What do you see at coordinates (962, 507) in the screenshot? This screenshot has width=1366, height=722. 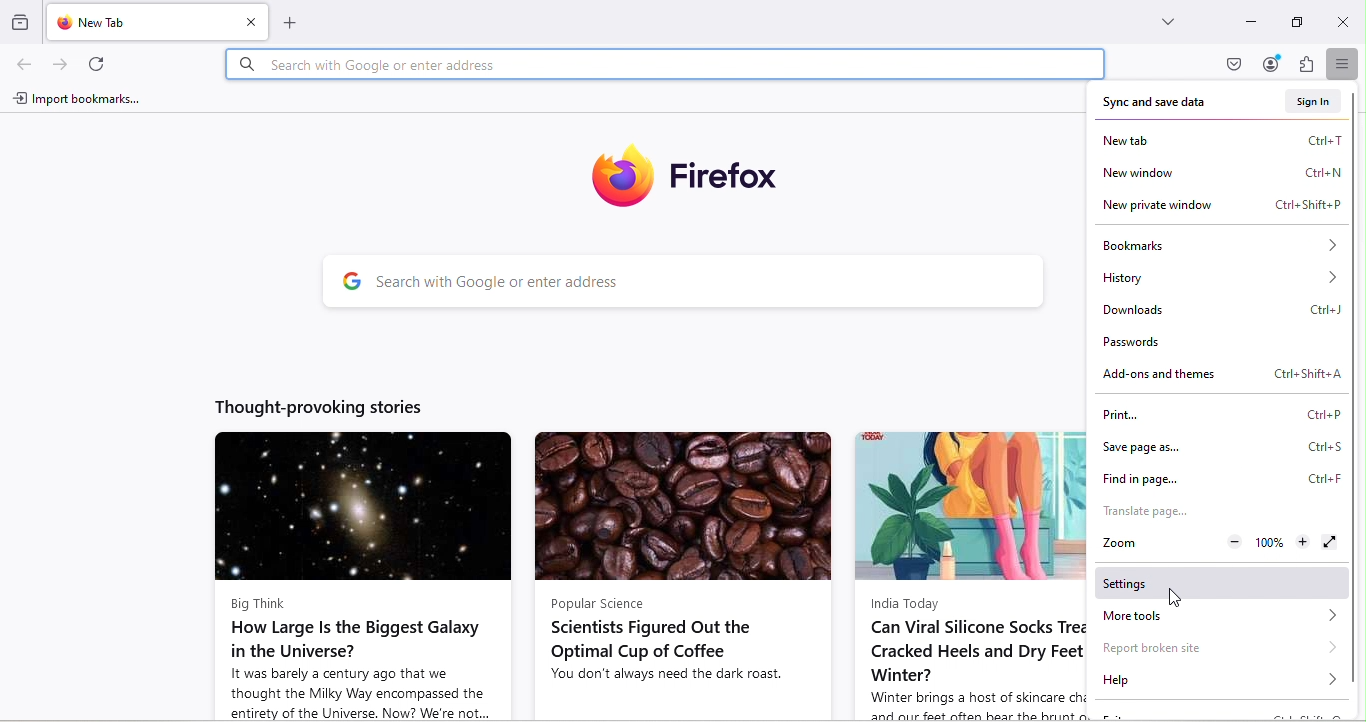 I see `Image` at bounding box center [962, 507].